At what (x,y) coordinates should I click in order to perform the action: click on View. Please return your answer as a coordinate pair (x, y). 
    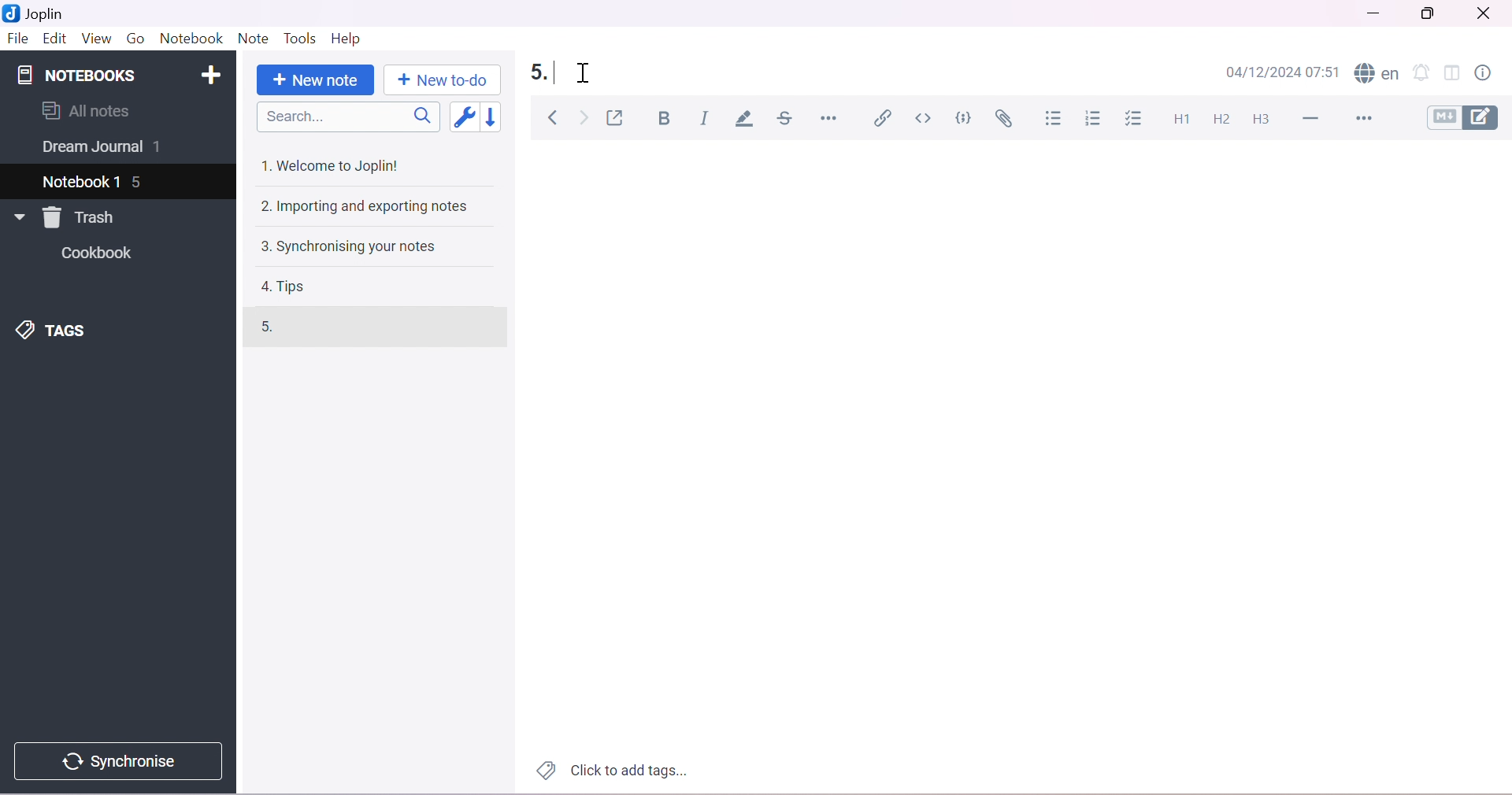
    Looking at the image, I should click on (95, 38).